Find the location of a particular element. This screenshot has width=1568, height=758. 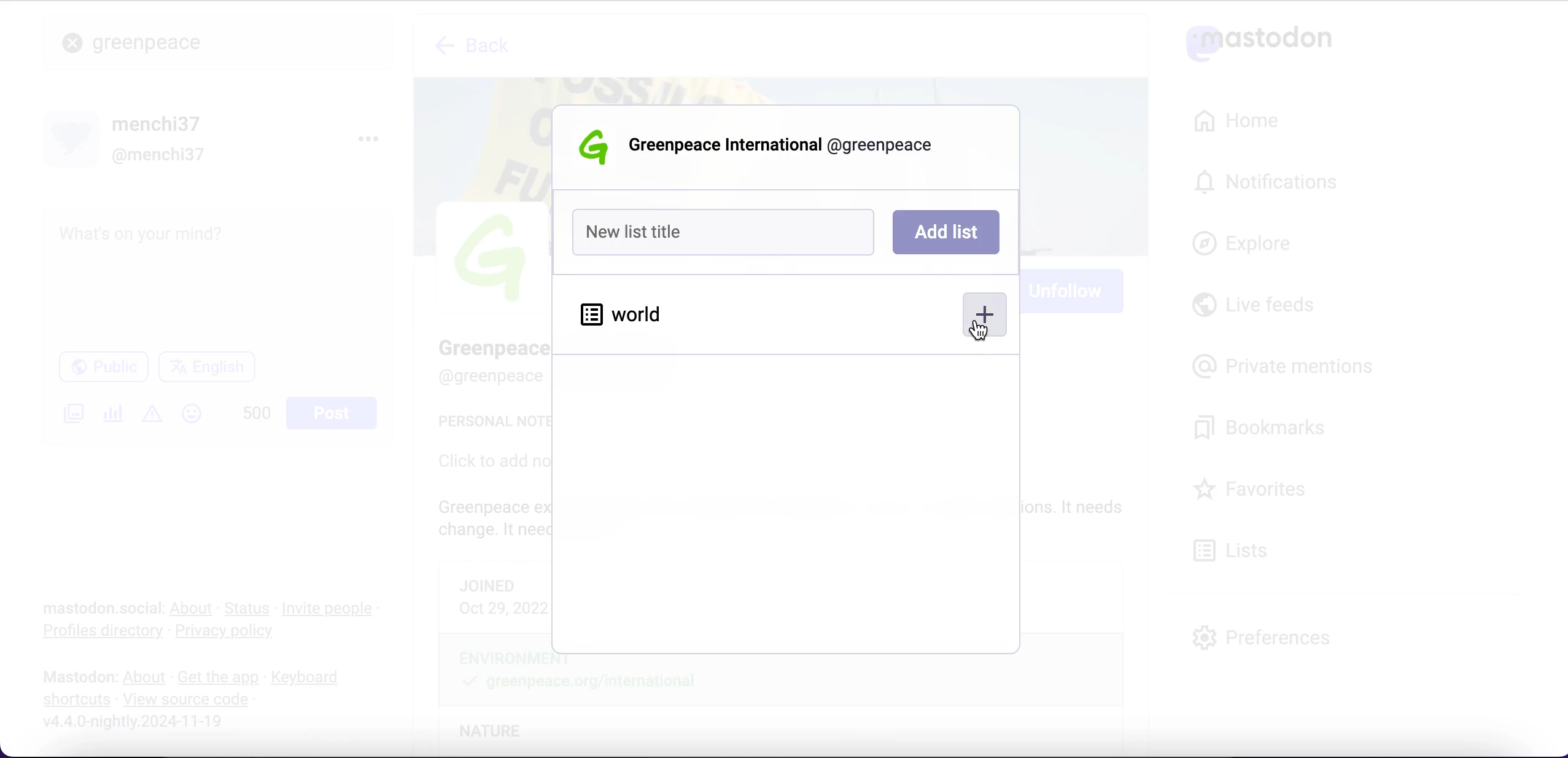

mastodon social is located at coordinates (86, 609).